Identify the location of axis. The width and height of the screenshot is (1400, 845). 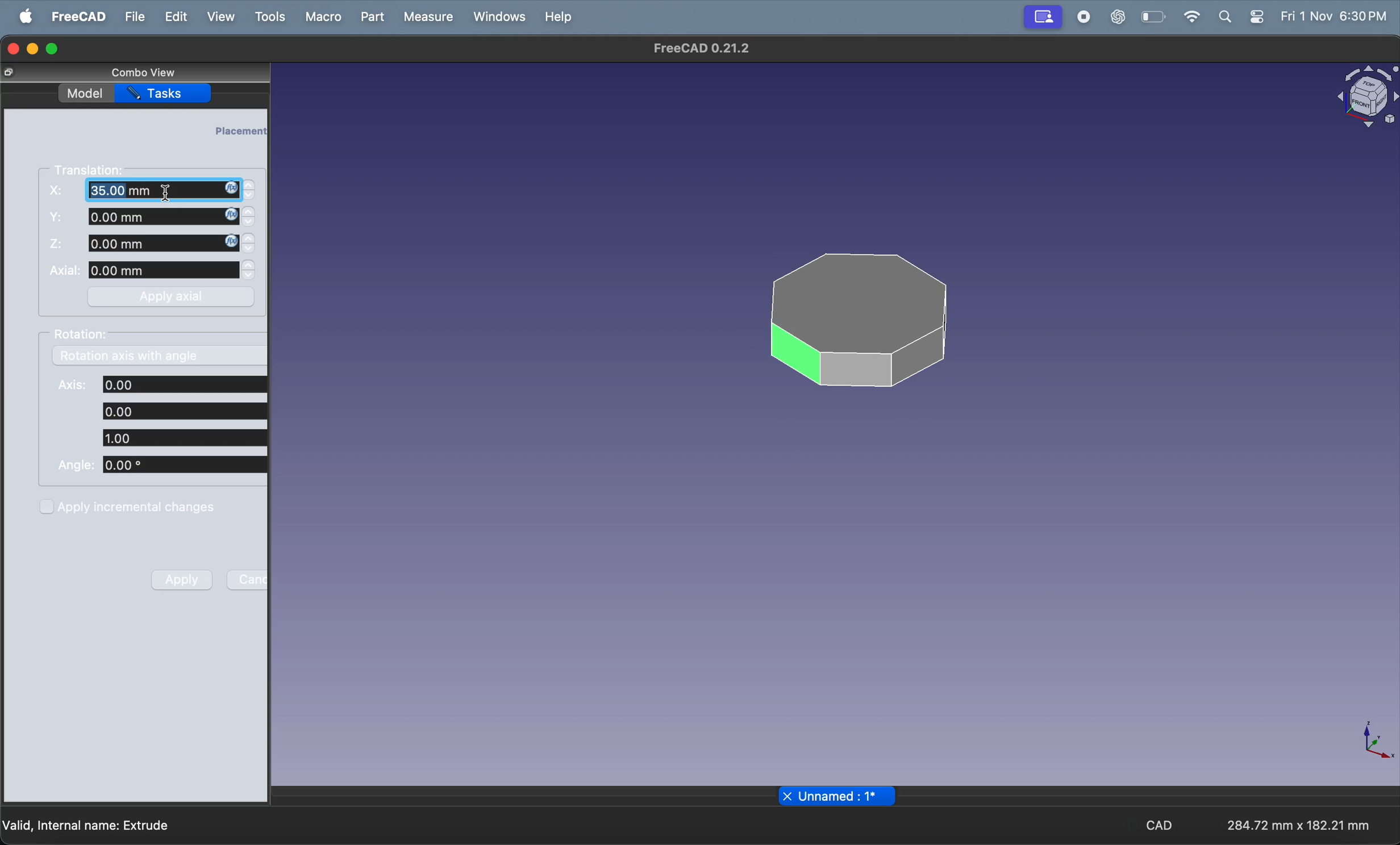
(1380, 743).